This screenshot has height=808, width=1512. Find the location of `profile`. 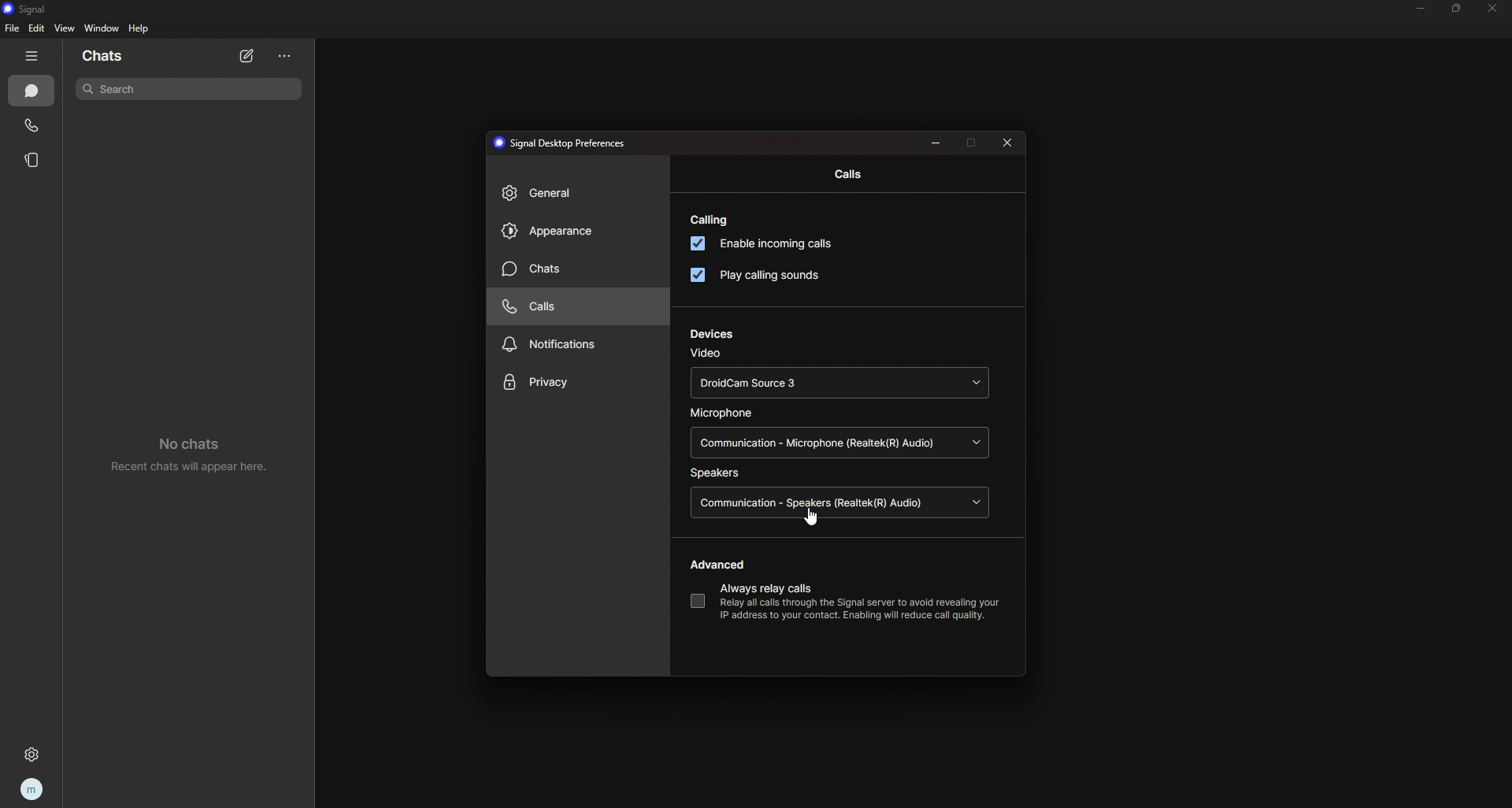

profile is located at coordinates (33, 788).